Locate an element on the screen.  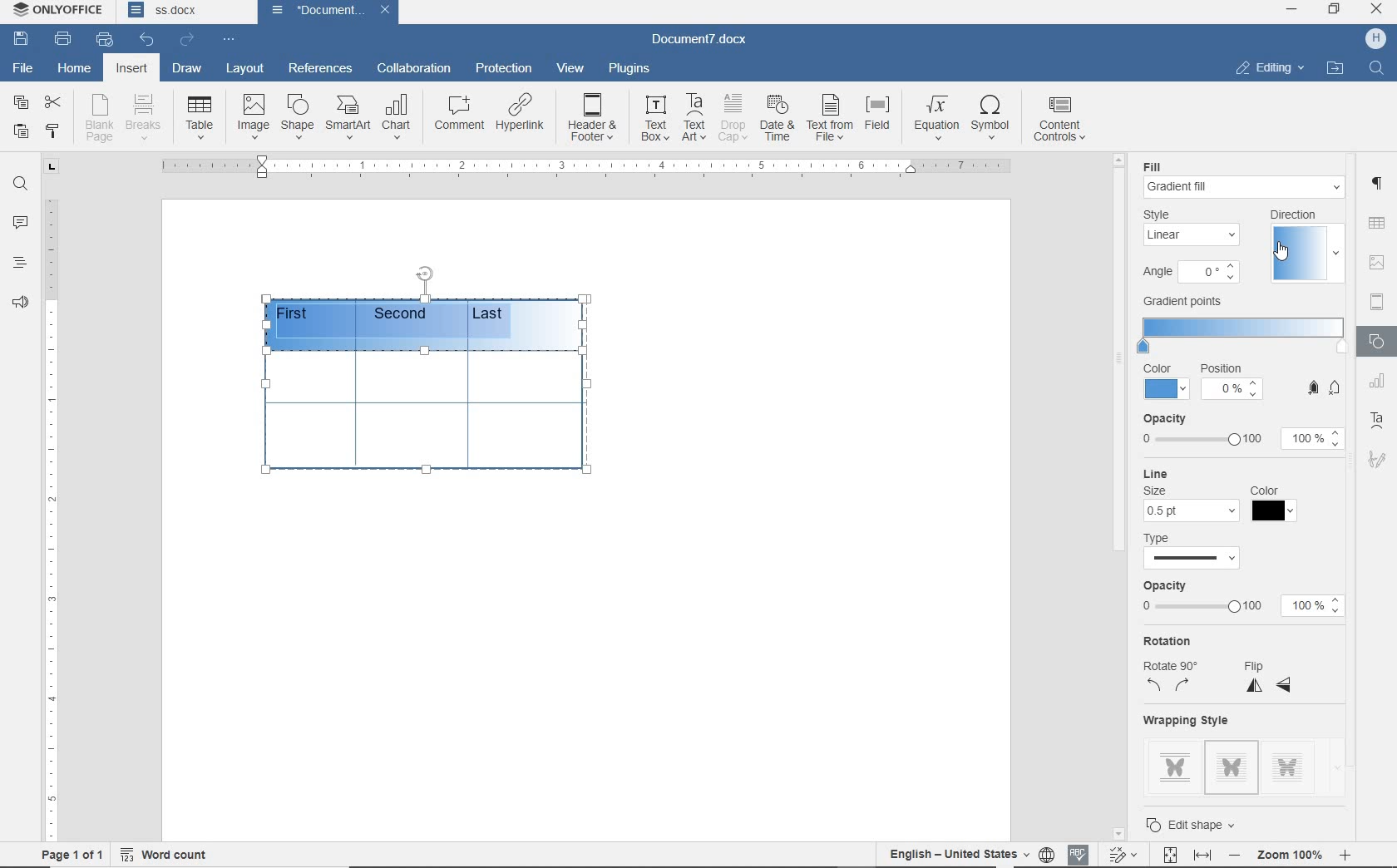
TABLE is located at coordinates (1379, 382).